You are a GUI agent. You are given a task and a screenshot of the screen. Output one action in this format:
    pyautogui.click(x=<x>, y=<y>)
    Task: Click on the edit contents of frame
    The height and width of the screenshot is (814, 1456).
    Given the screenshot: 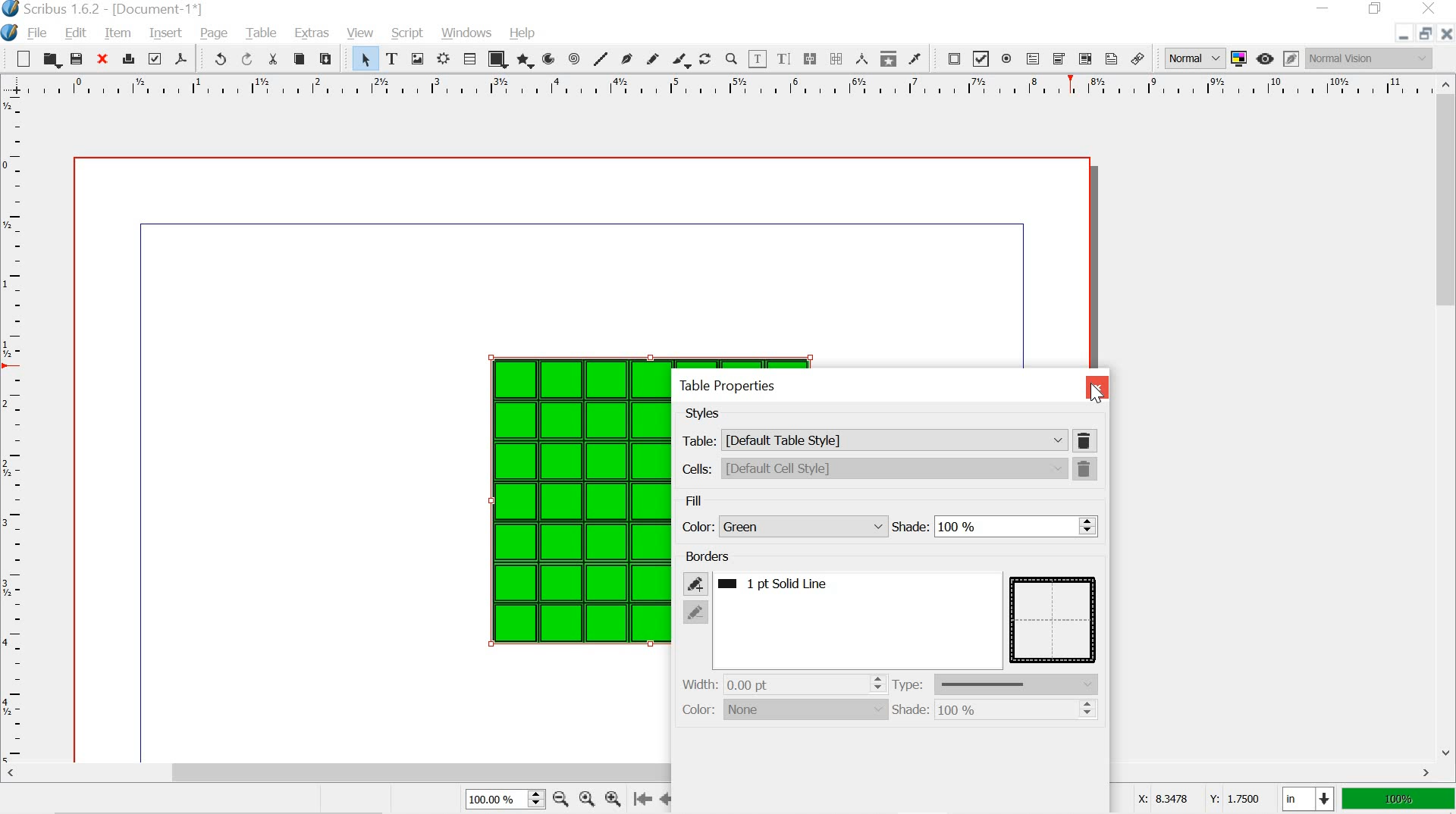 What is the action you would take?
    pyautogui.click(x=758, y=58)
    